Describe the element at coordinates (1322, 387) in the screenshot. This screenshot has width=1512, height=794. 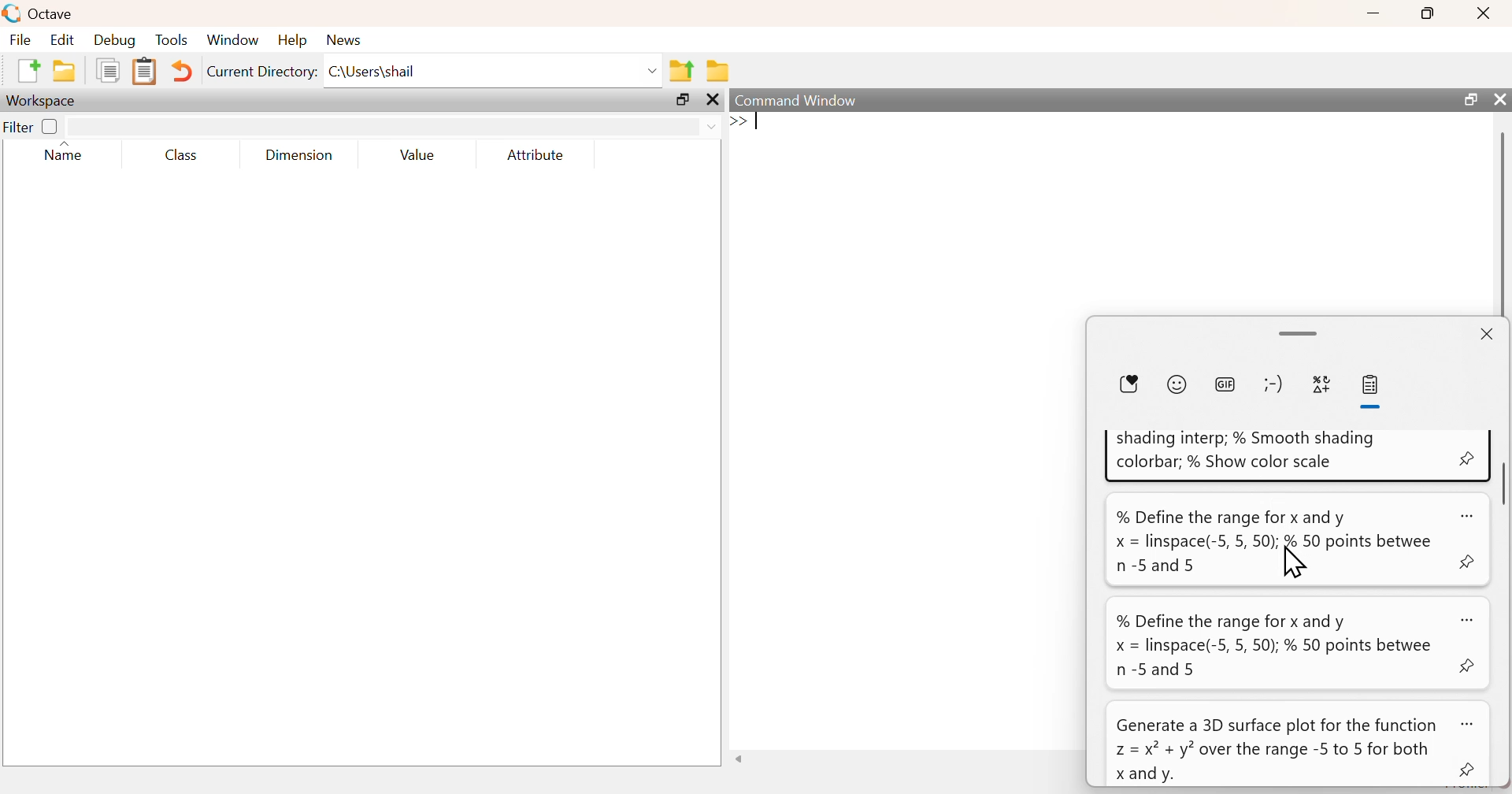
I see `special character` at that location.